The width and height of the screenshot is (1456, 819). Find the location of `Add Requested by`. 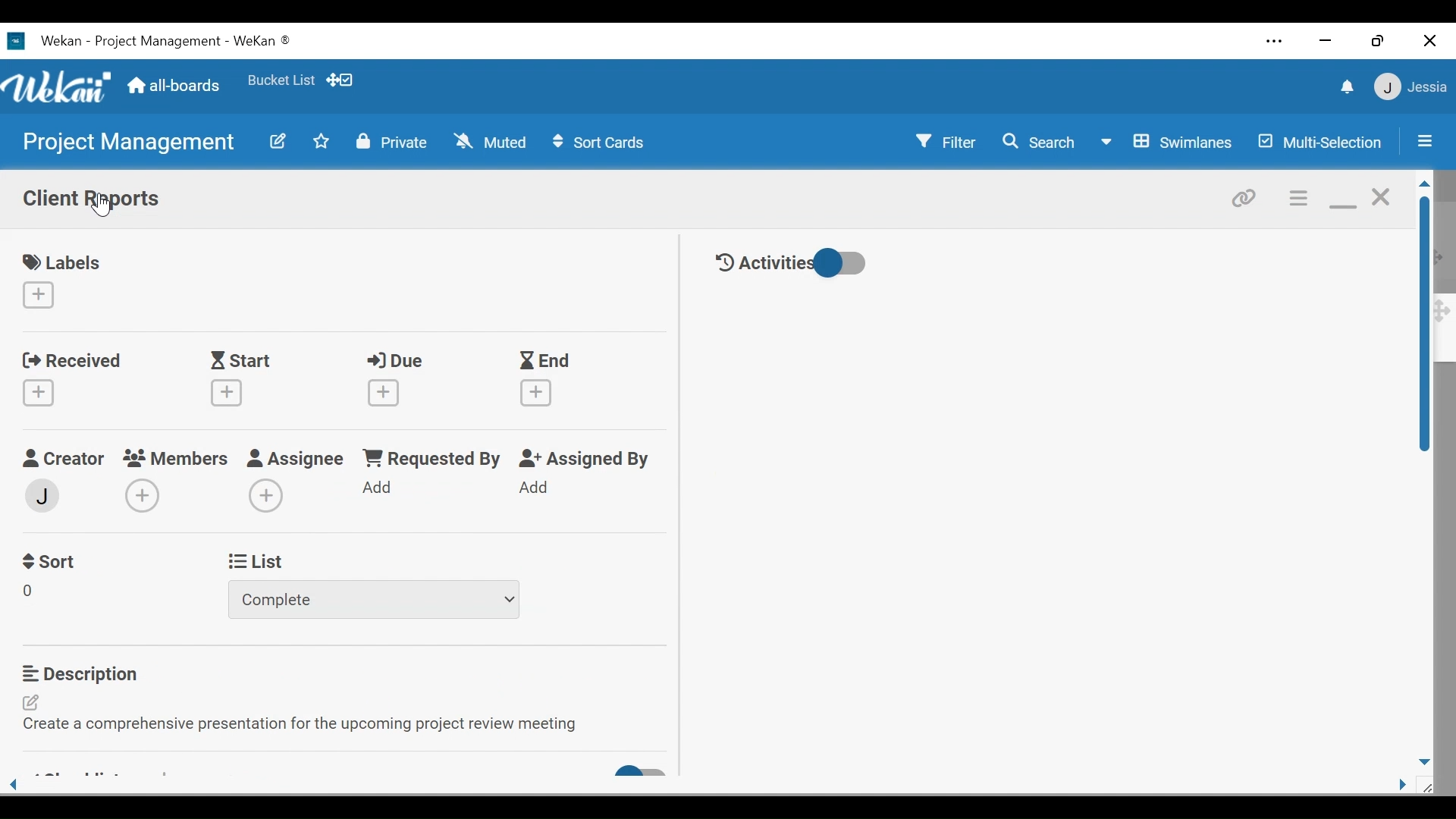

Add Requested by is located at coordinates (379, 488).